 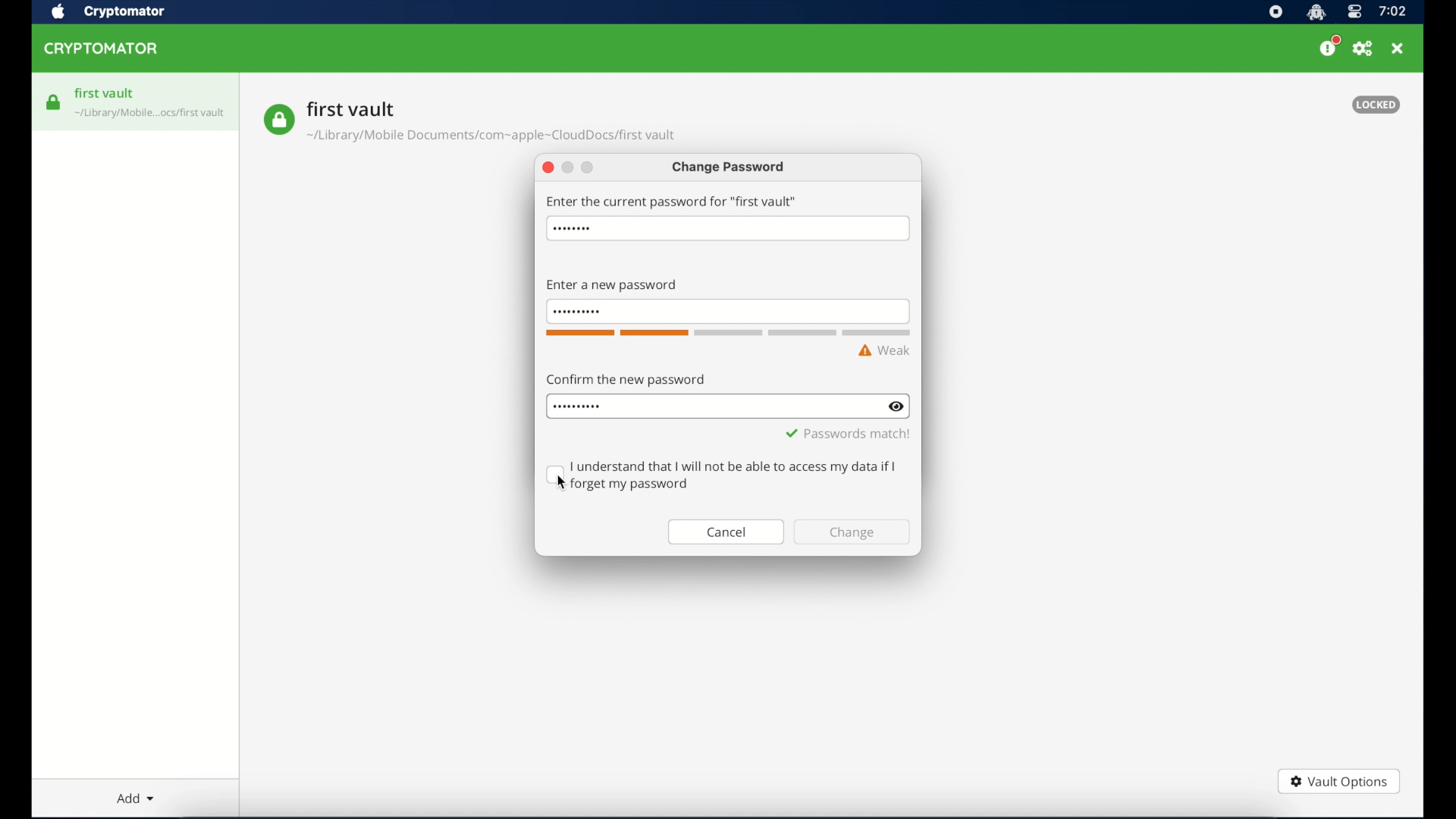 I want to click on close, so click(x=548, y=168).